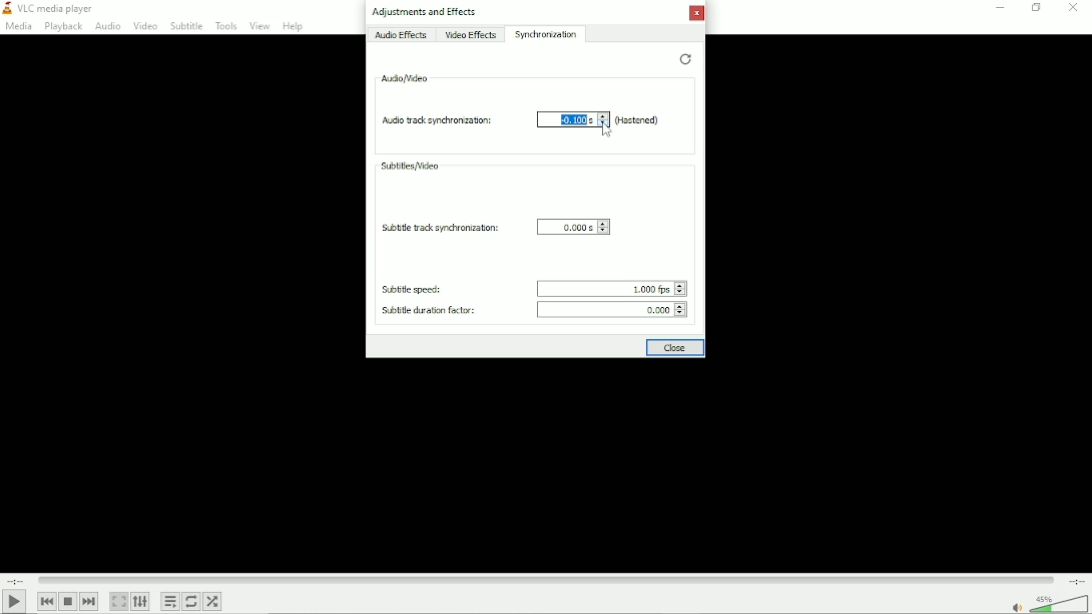  What do you see at coordinates (1036, 10) in the screenshot?
I see `Restore down` at bounding box center [1036, 10].